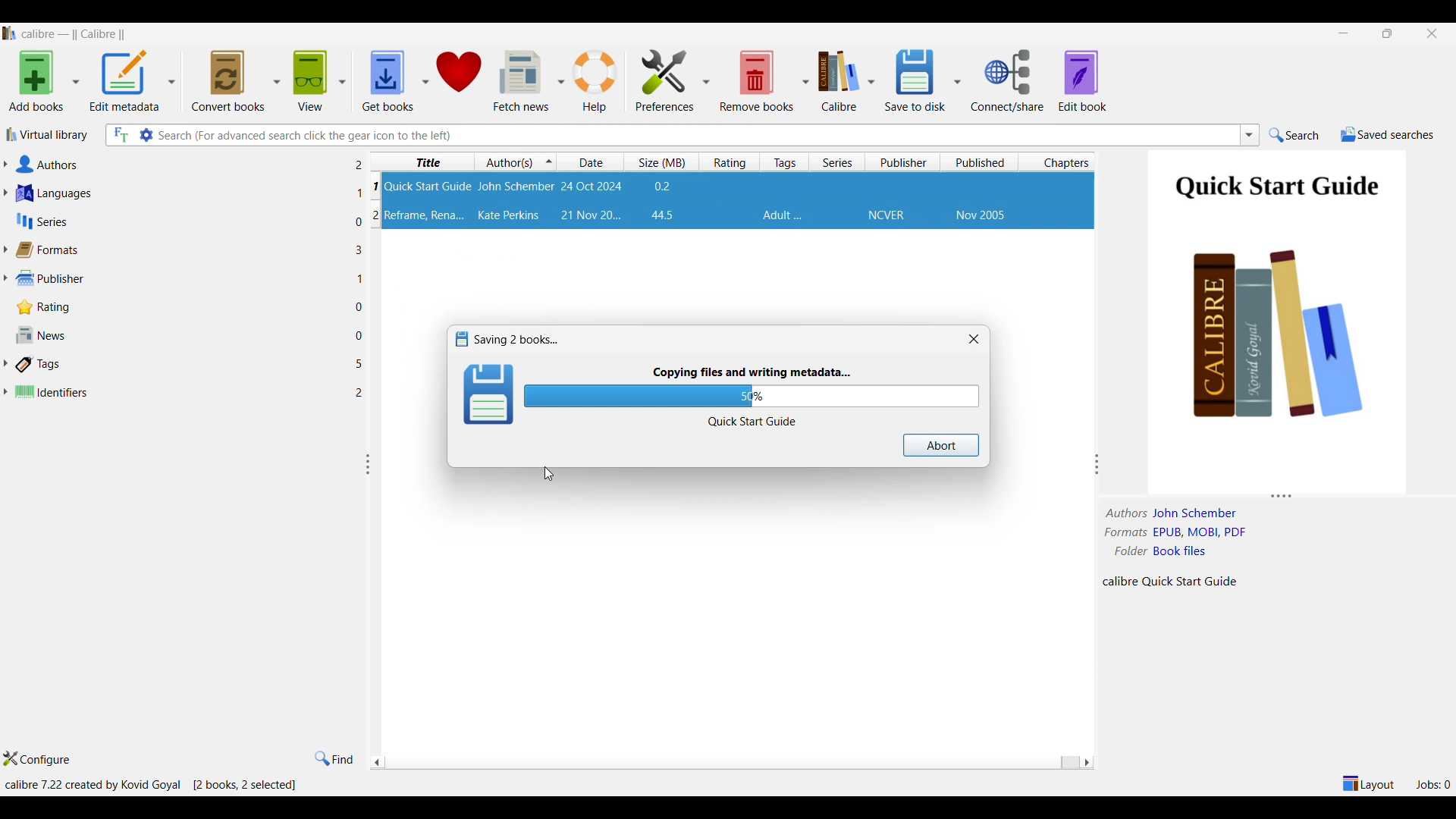 This screenshot has height=819, width=1456. Describe the element at coordinates (459, 81) in the screenshot. I see `Donate` at that location.